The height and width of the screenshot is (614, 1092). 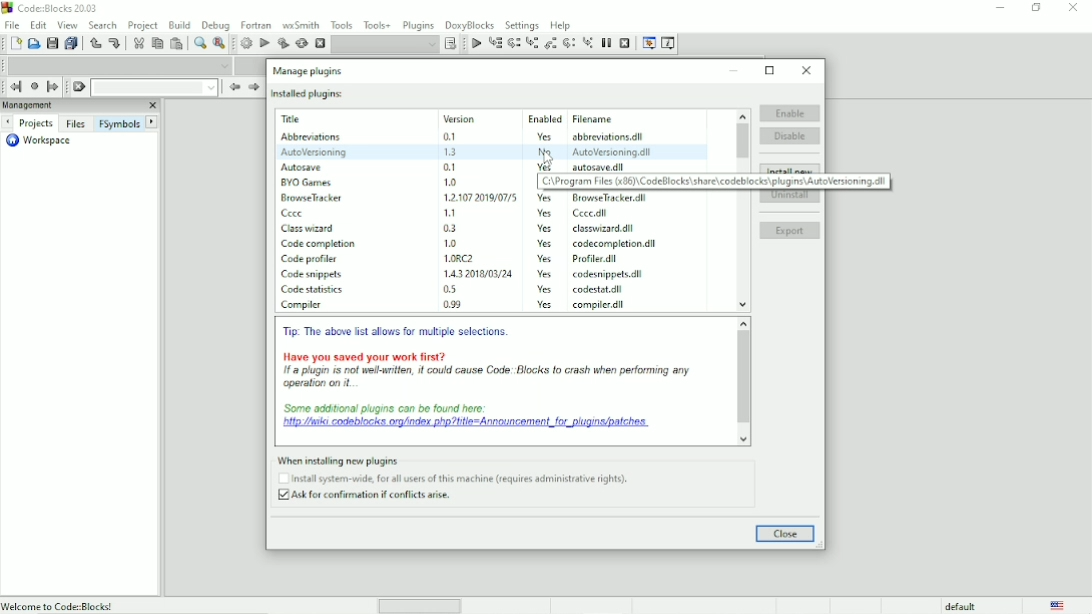 I want to click on Step into, so click(x=531, y=44).